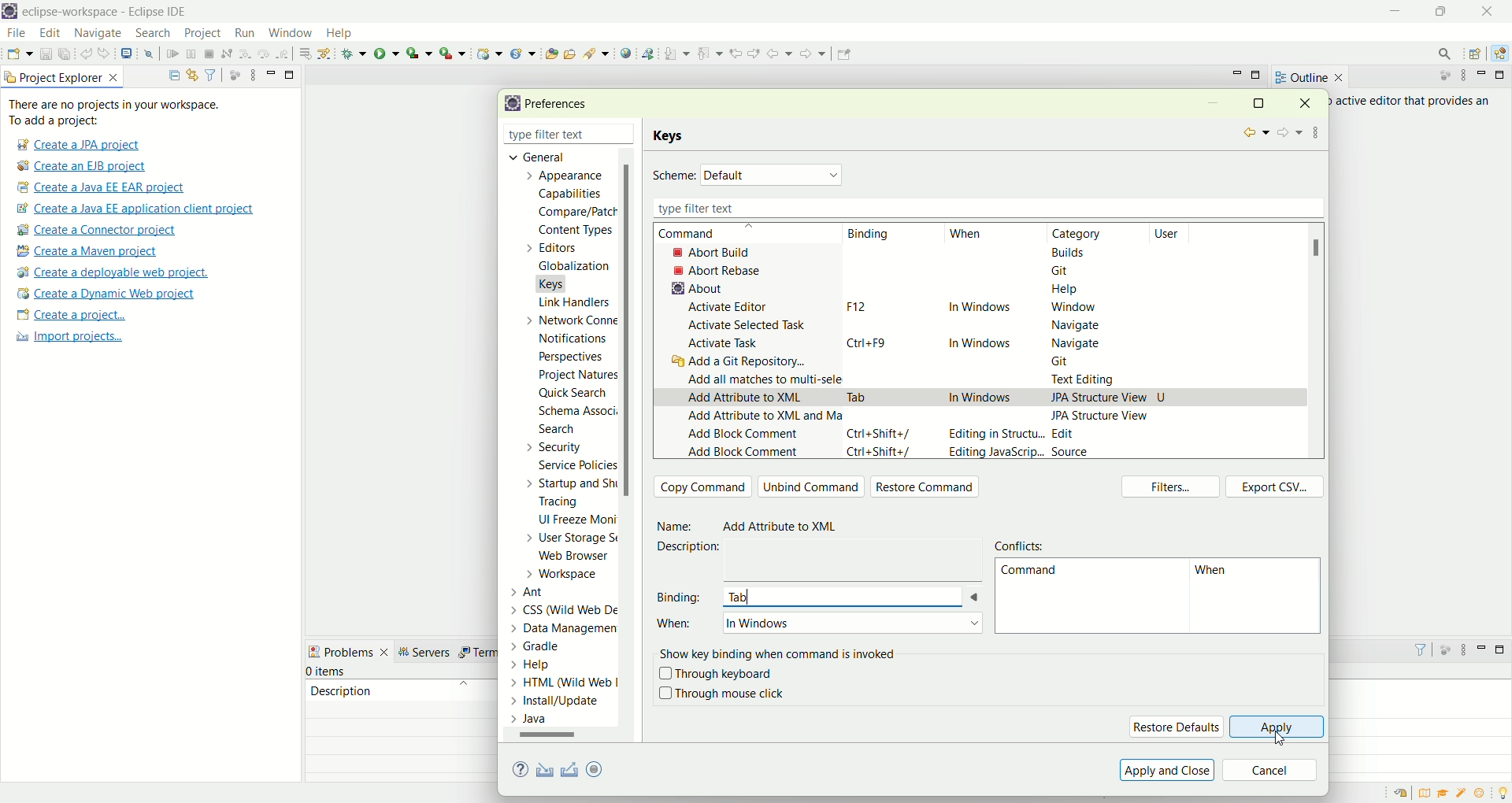 The image size is (1512, 803). I want to click on Git, so click(1069, 363).